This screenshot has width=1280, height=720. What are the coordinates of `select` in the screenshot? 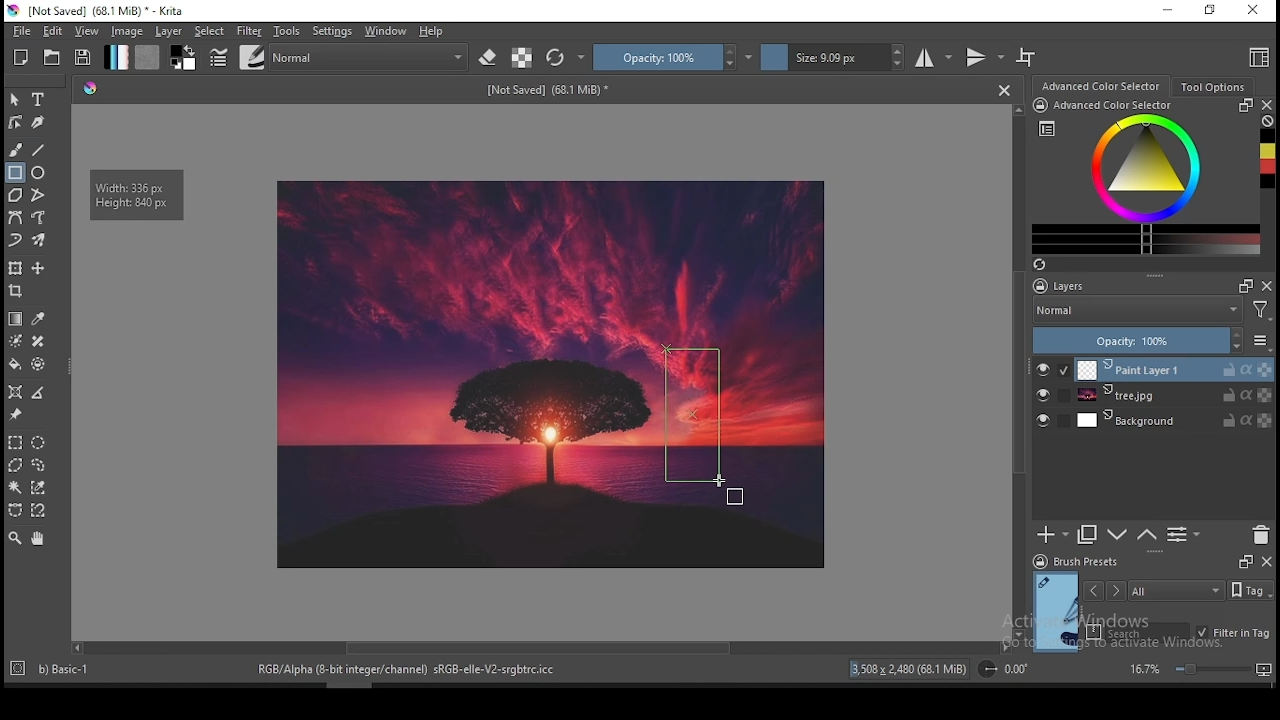 It's located at (211, 31).